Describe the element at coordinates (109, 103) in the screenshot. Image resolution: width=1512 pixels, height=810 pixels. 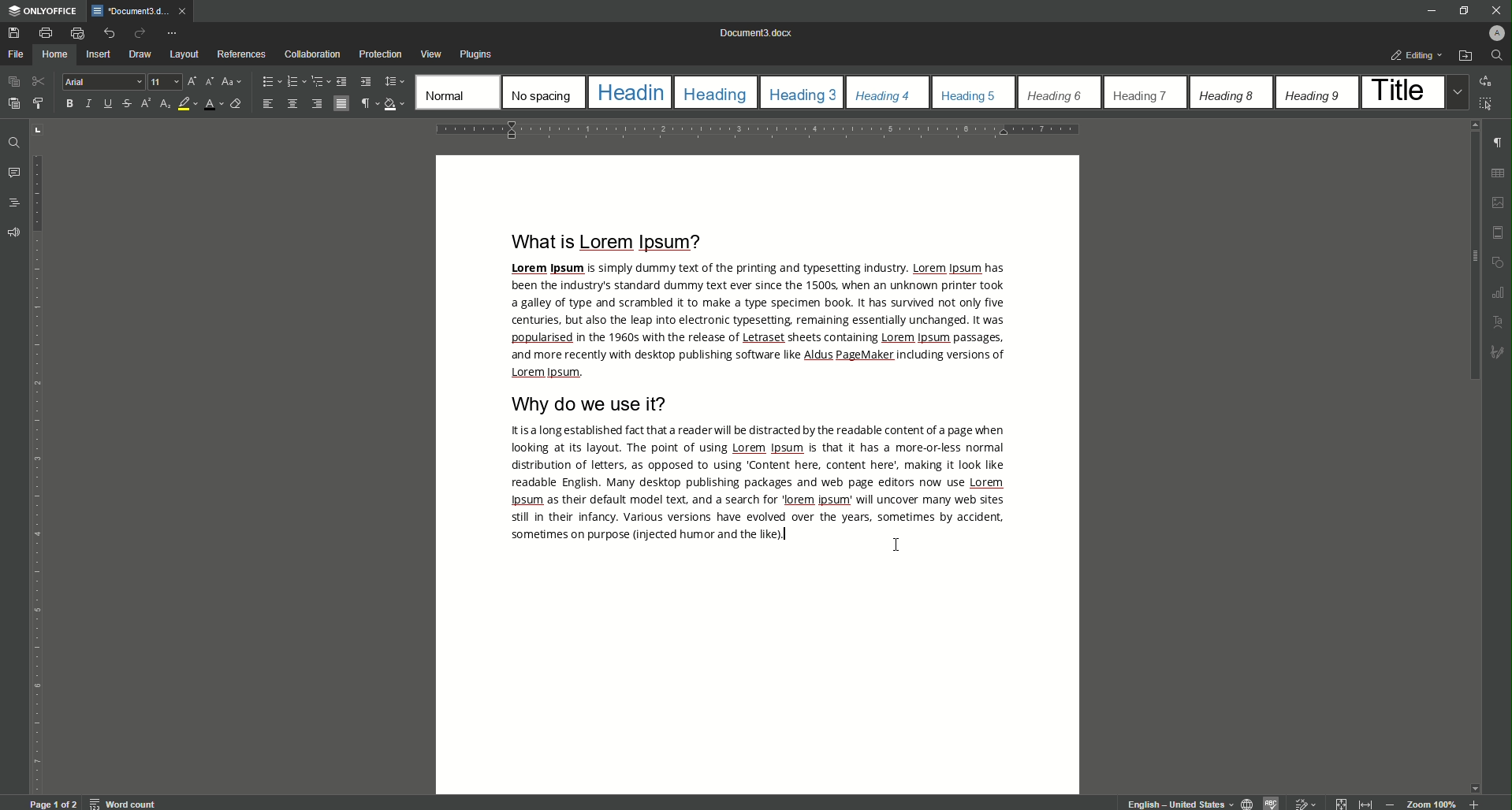
I see `Underline` at that location.